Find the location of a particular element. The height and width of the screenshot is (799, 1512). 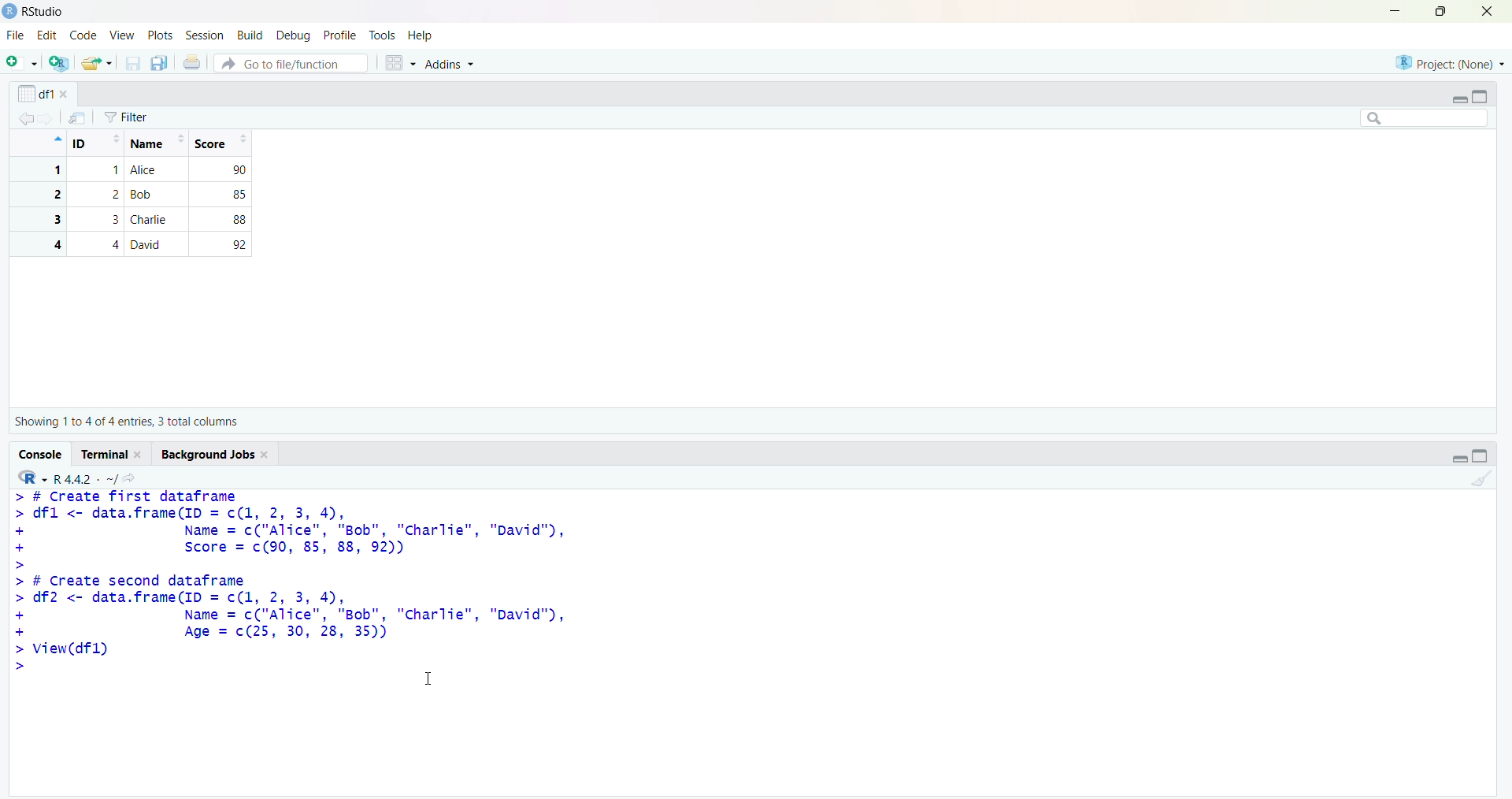

Collapse/expand  is located at coordinates (1459, 459).